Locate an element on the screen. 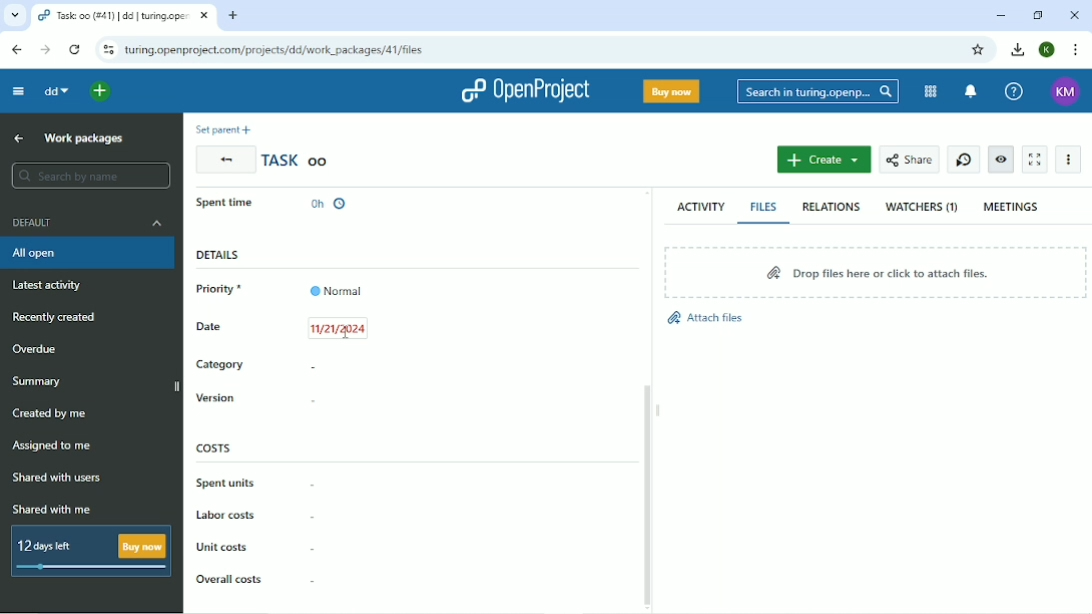 This screenshot has height=614, width=1092. - is located at coordinates (313, 516).